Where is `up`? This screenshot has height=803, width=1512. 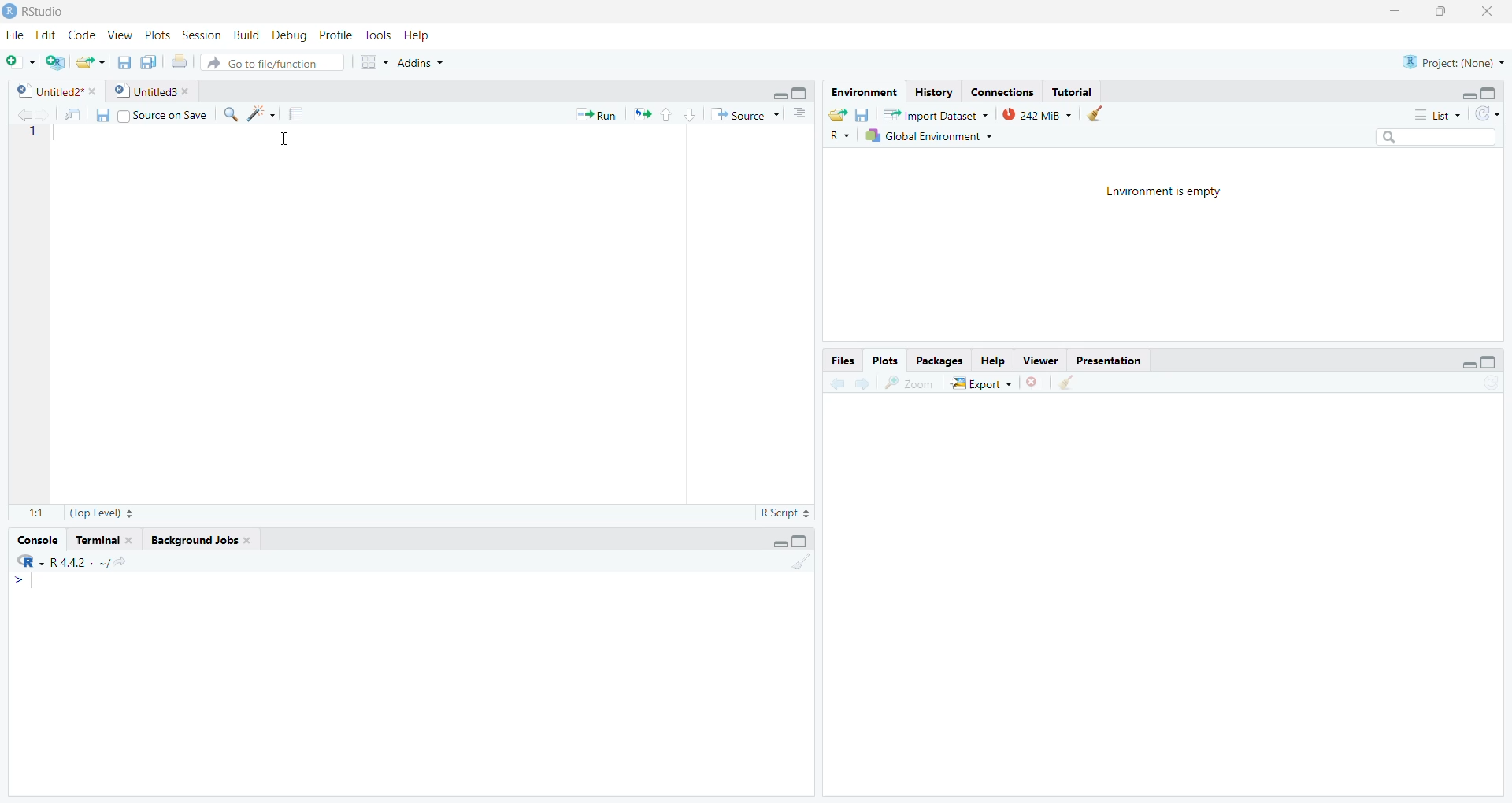
up is located at coordinates (665, 114).